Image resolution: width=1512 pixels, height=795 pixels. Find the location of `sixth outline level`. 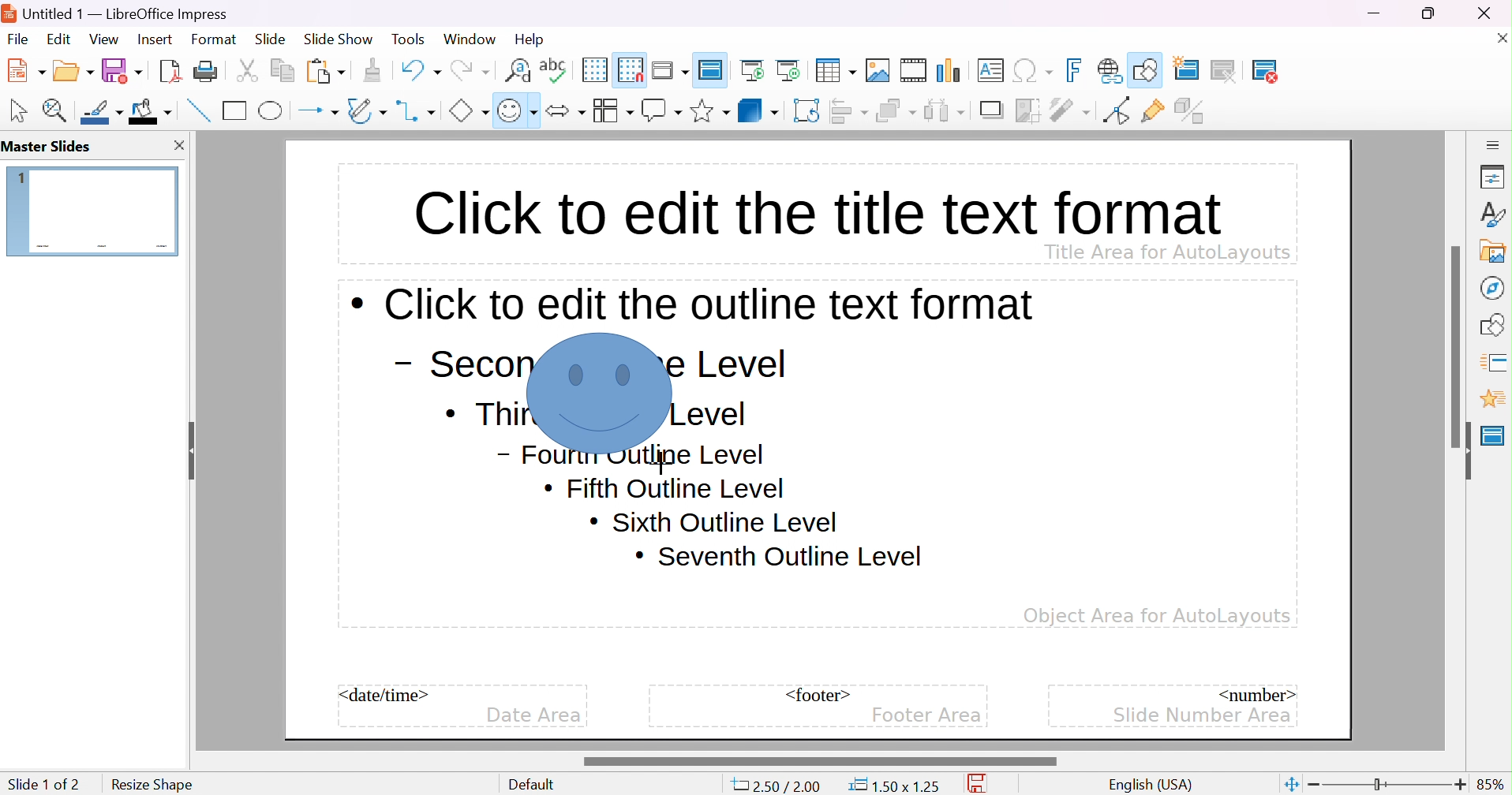

sixth outline level is located at coordinates (713, 521).